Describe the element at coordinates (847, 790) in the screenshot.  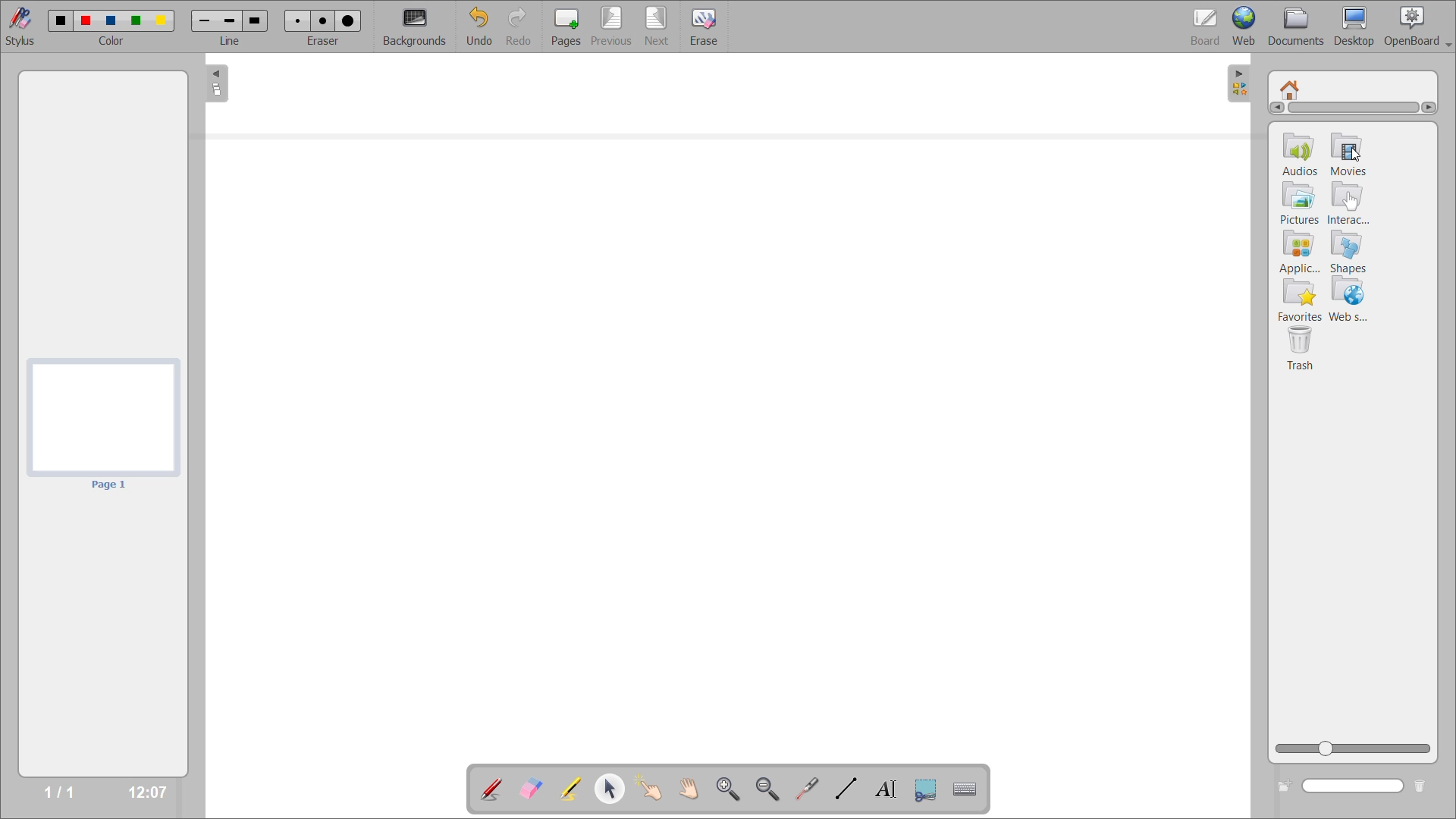
I see `draw lines` at that location.